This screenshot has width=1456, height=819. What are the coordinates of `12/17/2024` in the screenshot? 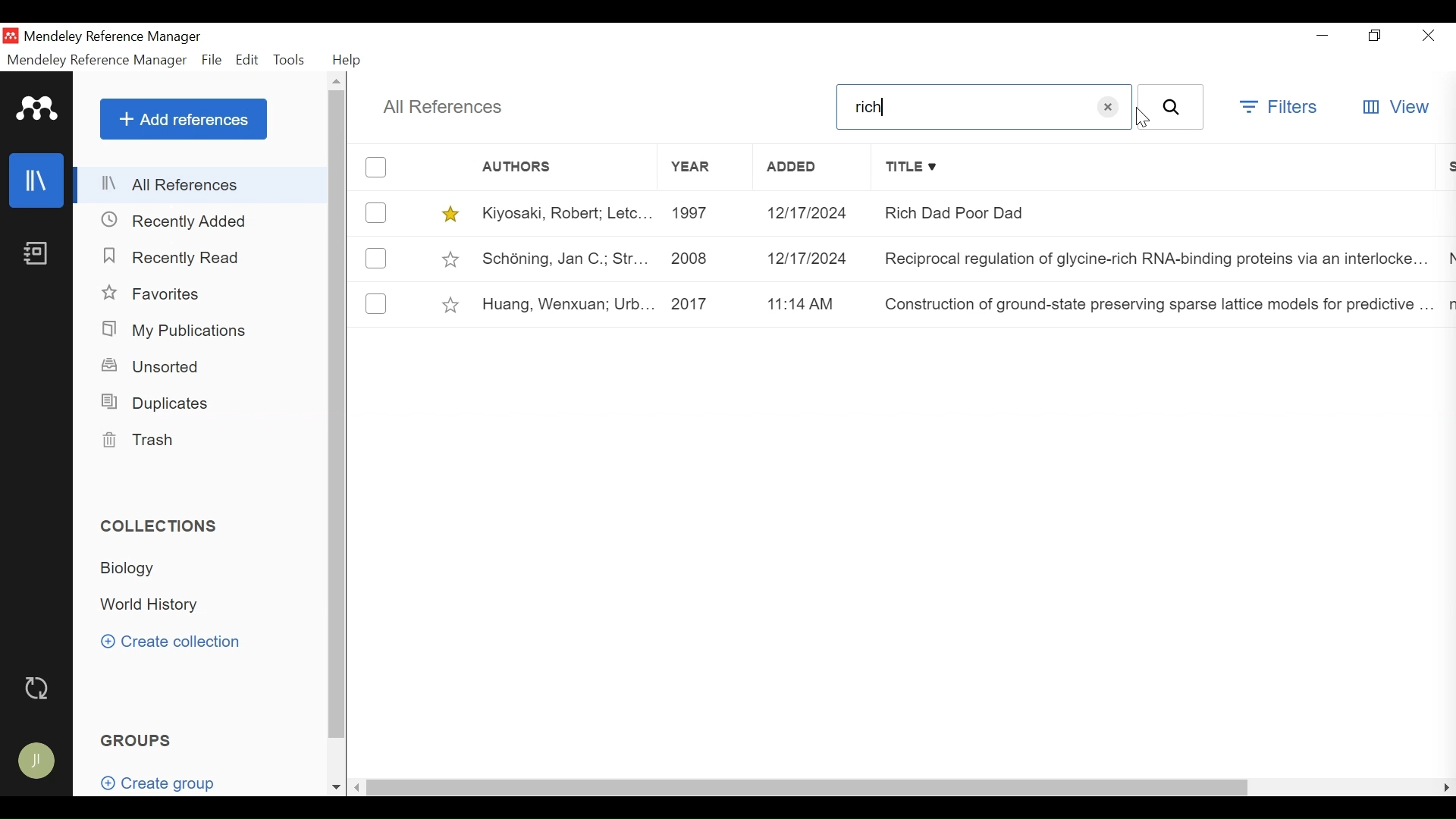 It's located at (813, 213).